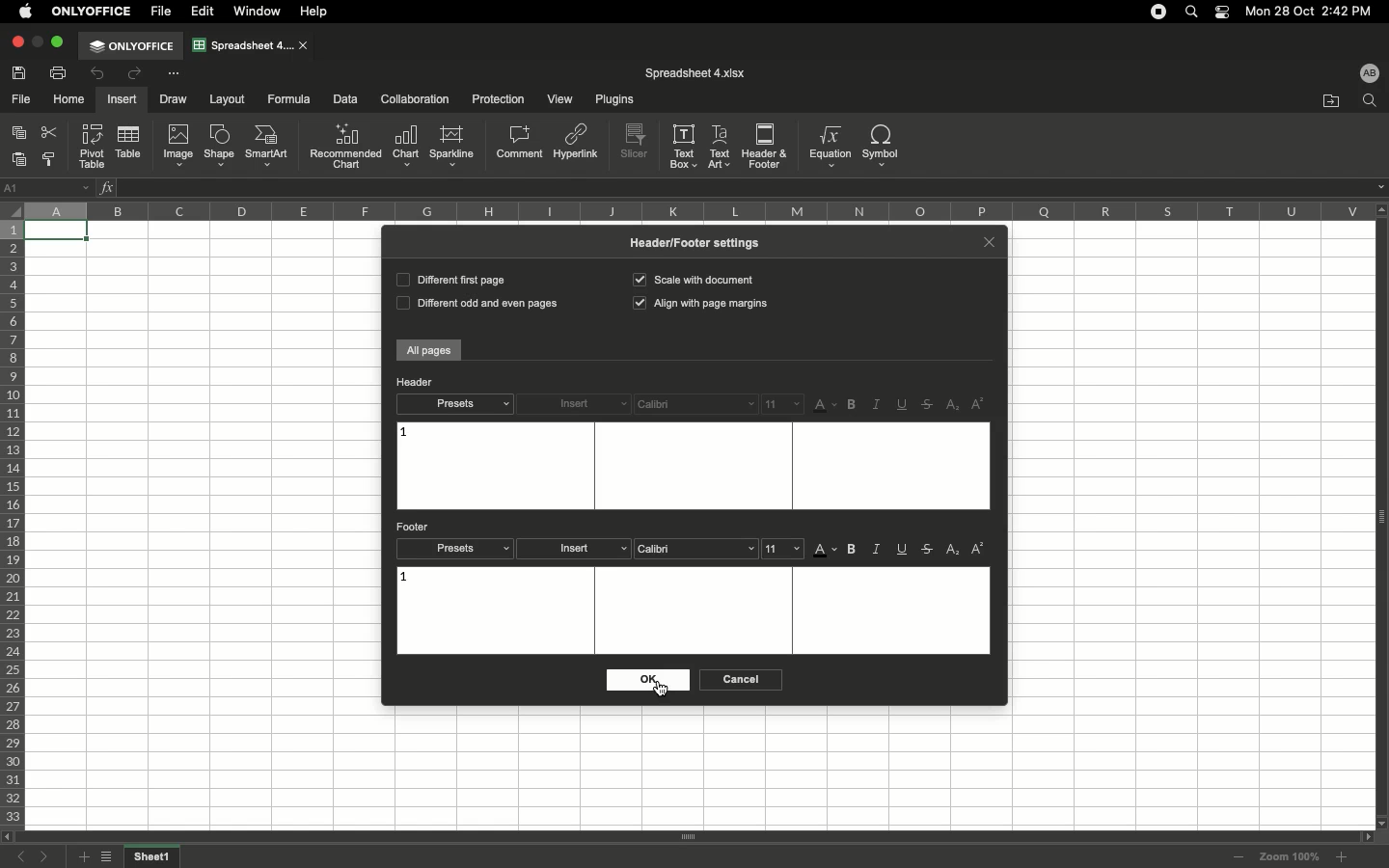  Describe the element at coordinates (219, 147) in the screenshot. I see `Shape` at that location.